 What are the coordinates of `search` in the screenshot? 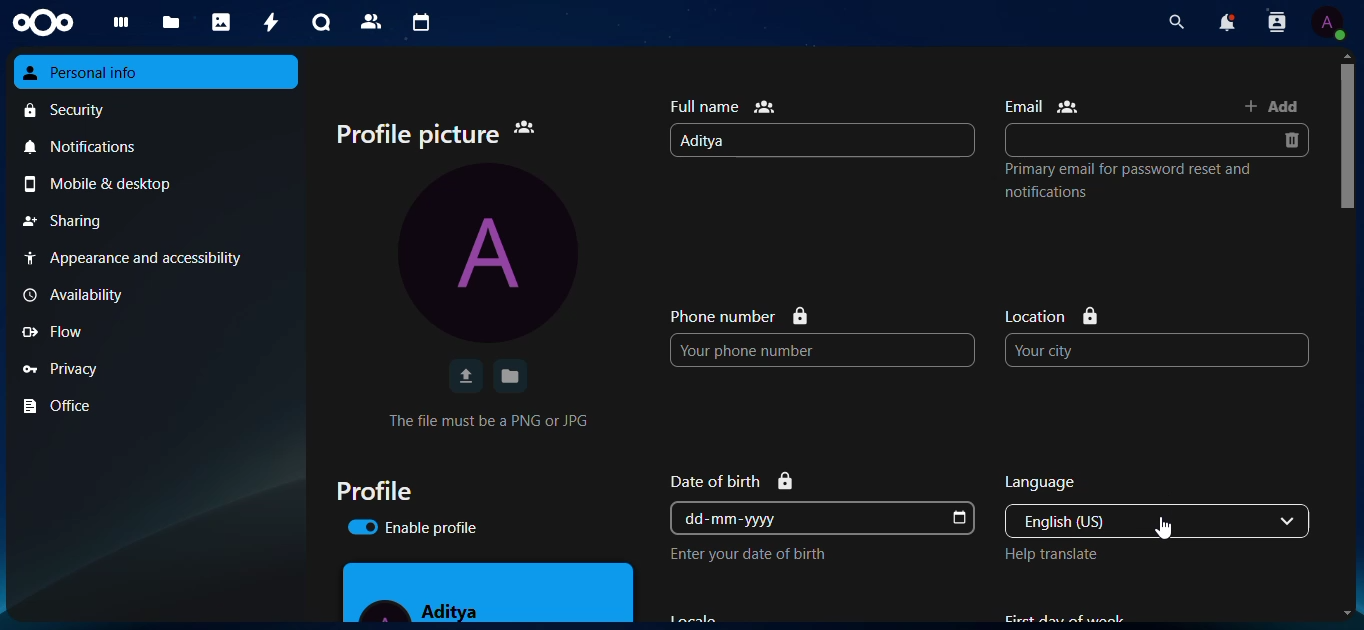 It's located at (1171, 22).